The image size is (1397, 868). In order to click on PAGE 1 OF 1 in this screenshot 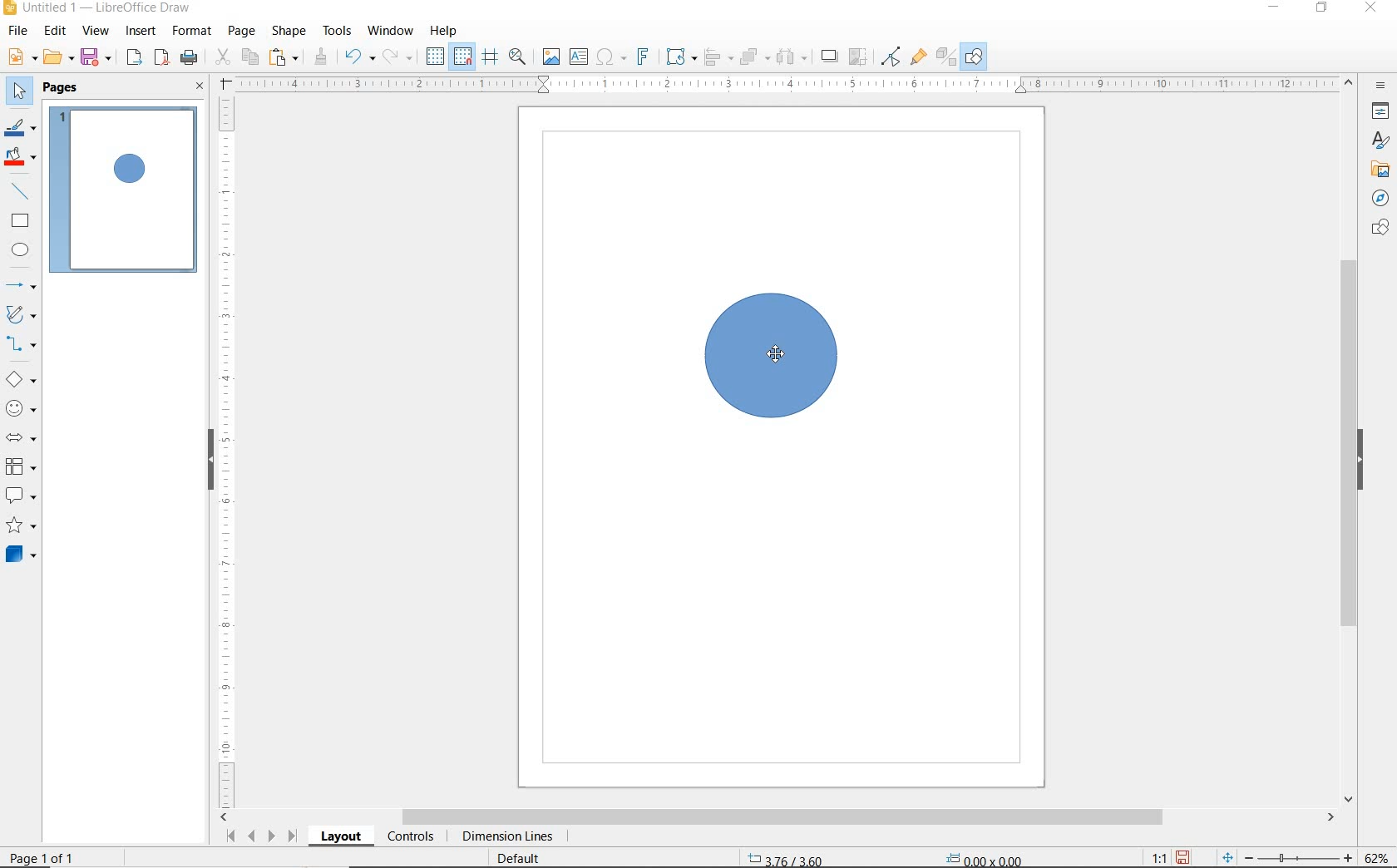, I will do `click(42, 857)`.